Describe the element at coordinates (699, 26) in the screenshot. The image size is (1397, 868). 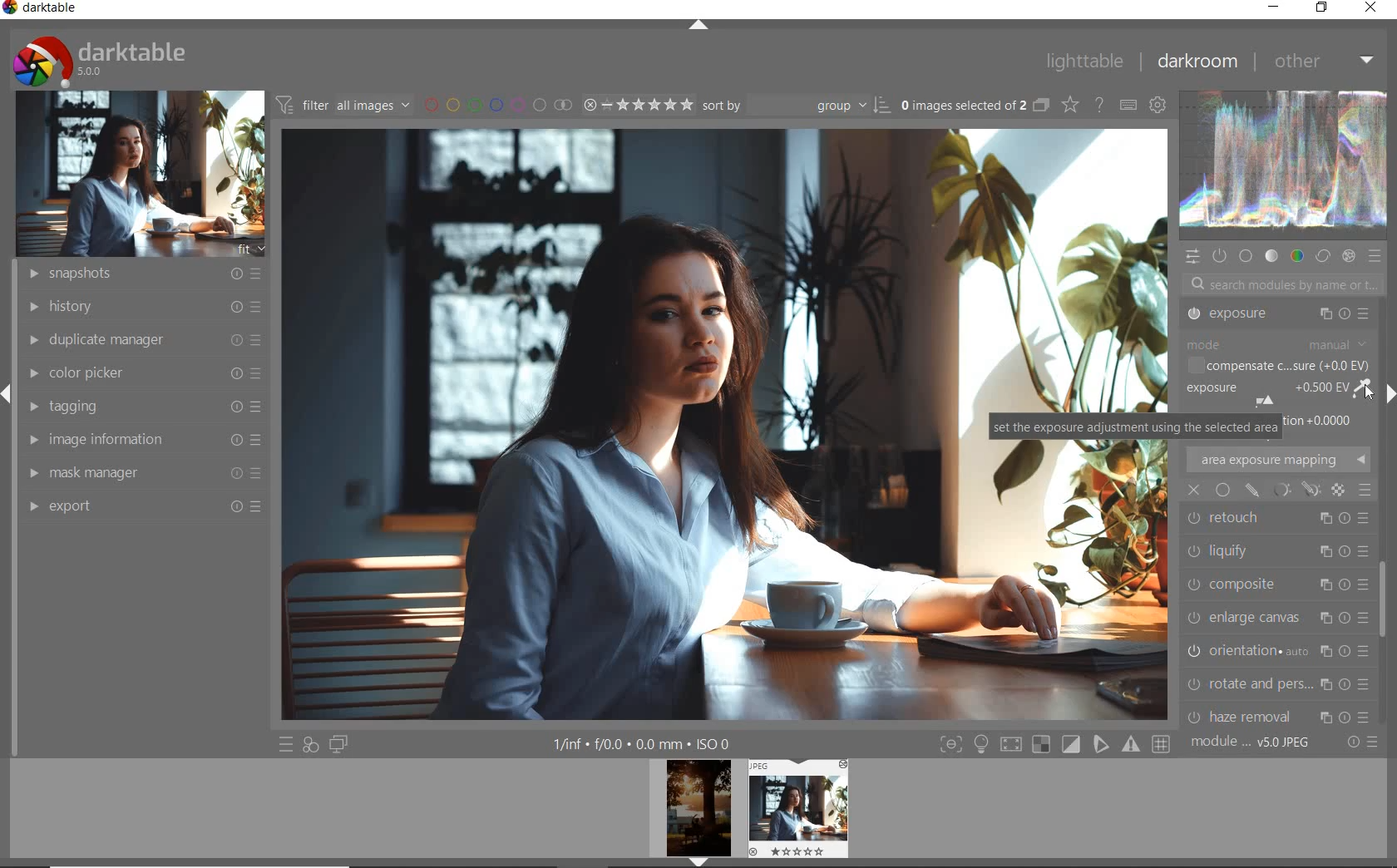
I see `EXPAND/COLLAPSE` at that location.